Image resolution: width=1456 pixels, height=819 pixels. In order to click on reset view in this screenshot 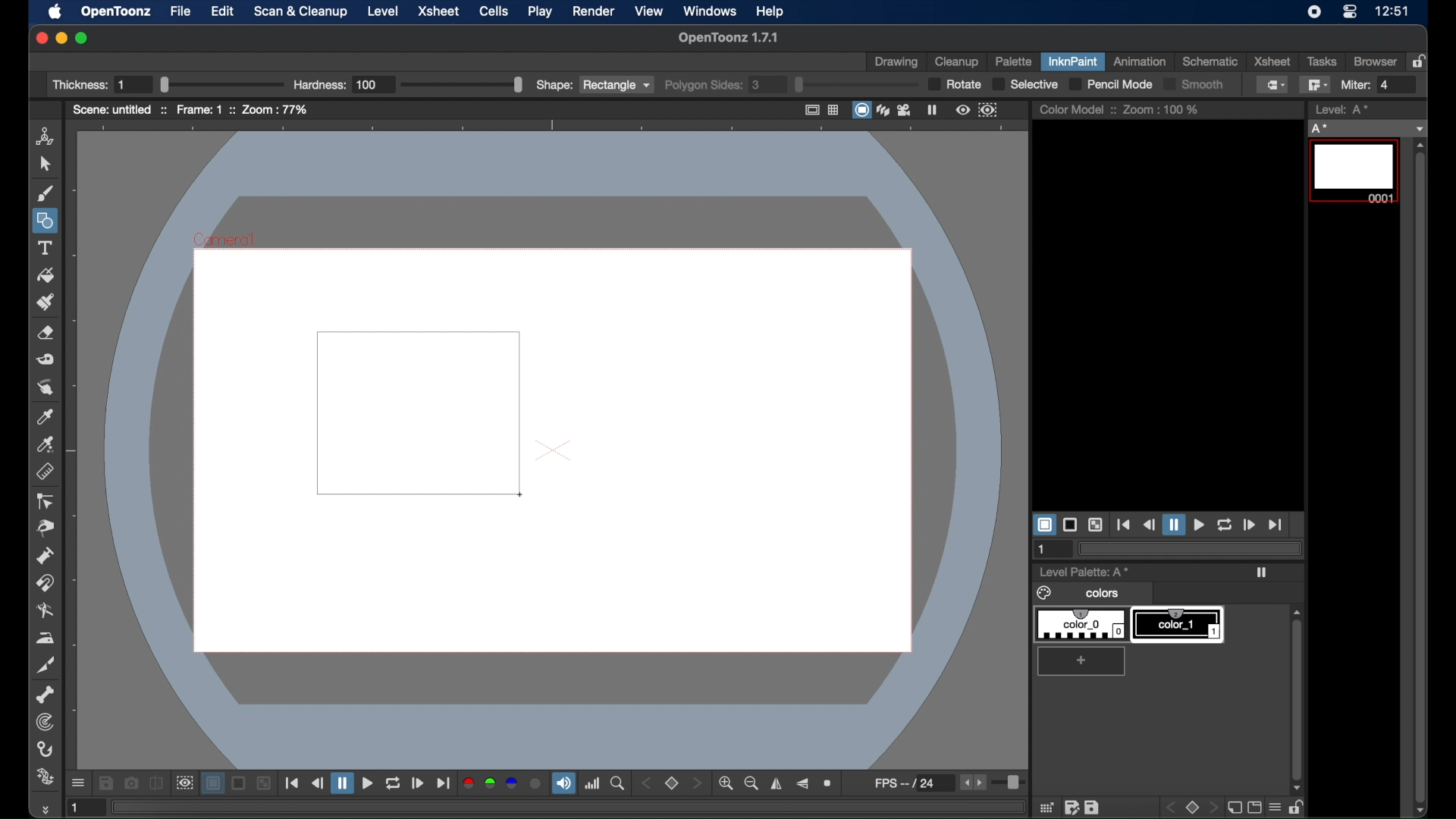, I will do `click(829, 783)`.